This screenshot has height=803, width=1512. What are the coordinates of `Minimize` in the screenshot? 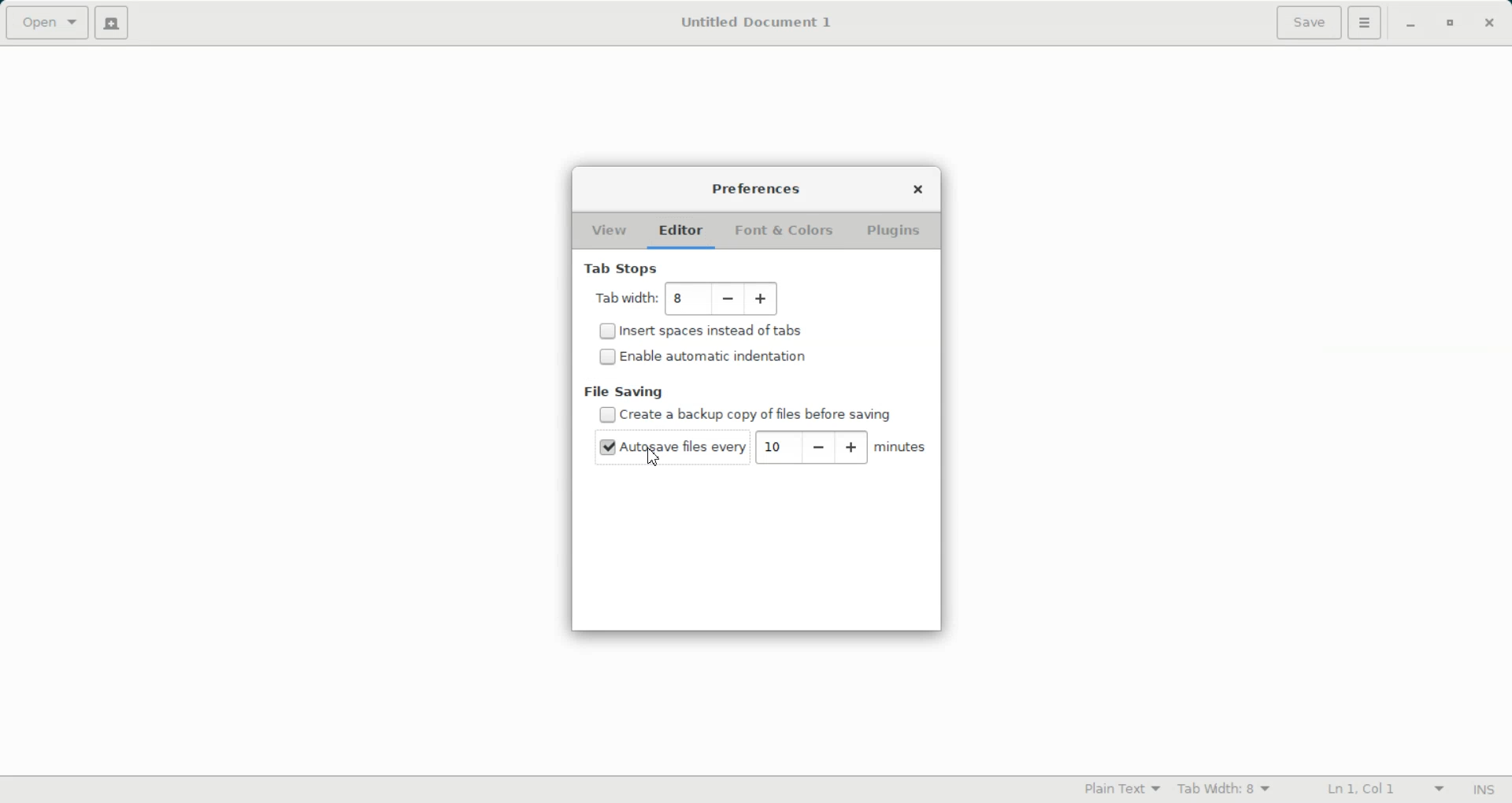 It's located at (1411, 24).